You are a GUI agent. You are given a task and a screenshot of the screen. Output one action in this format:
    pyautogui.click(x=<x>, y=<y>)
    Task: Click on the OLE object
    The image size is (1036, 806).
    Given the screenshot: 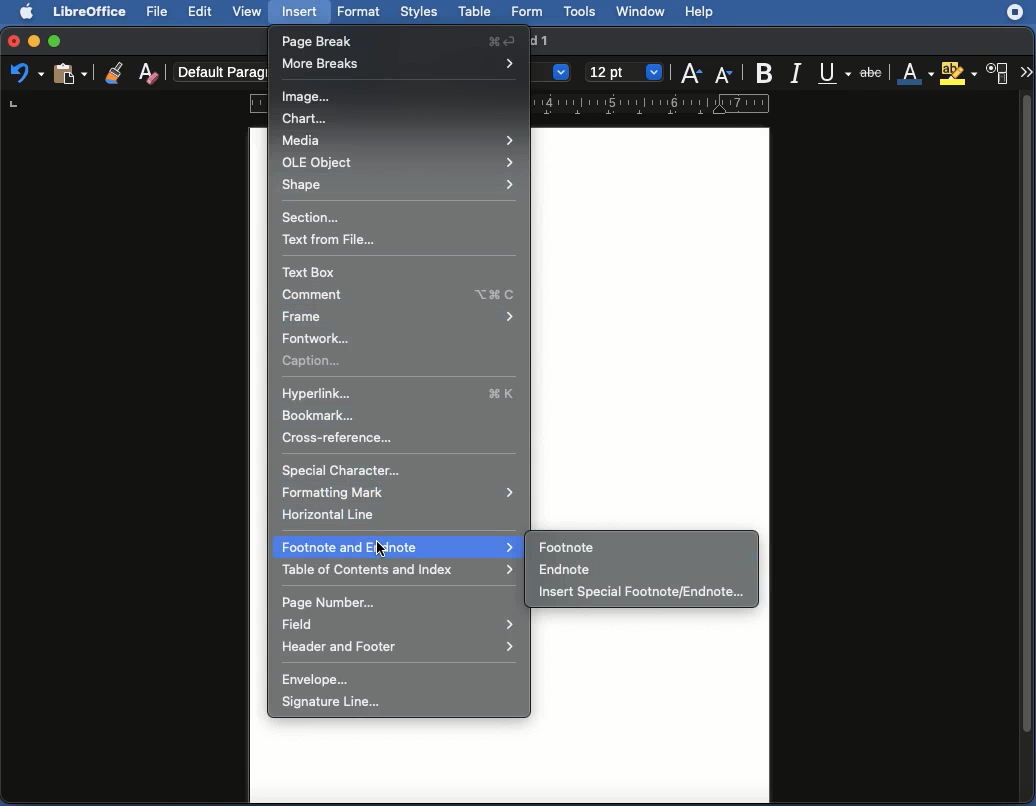 What is the action you would take?
    pyautogui.click(x=398, y=161)
    